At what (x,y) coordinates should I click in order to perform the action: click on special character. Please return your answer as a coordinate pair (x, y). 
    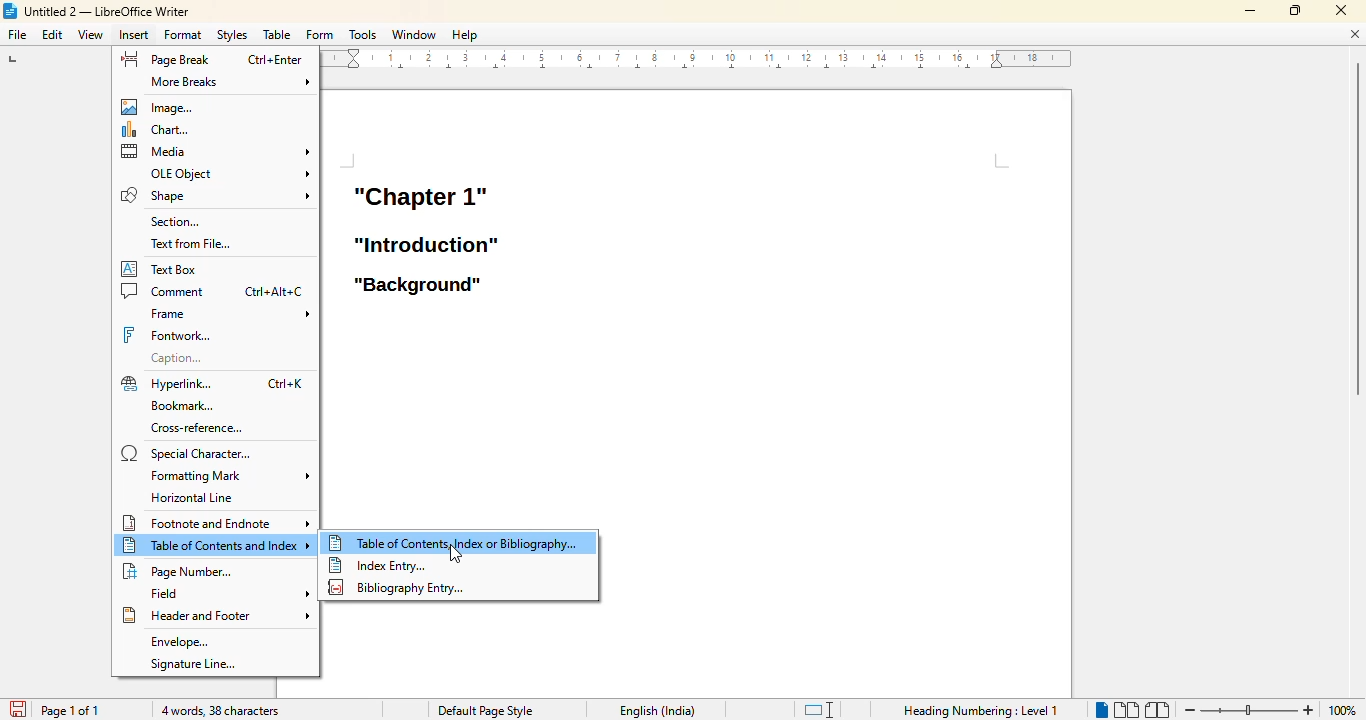
    Looking at the image, I should click on (189, 454).